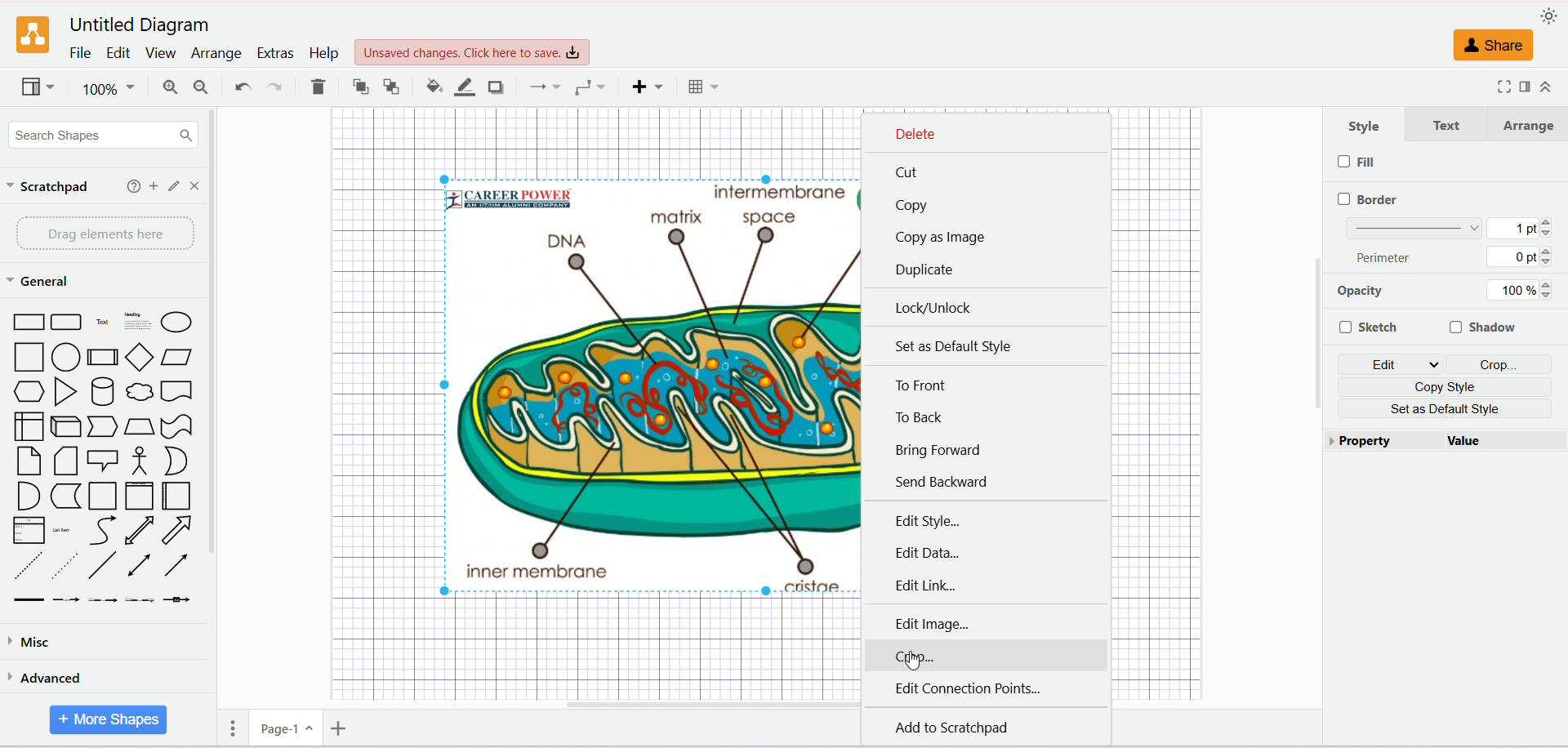  What do you see at coordinates (141, 601) in the screenshot?
I see `Connector with 3 Labels` at bounding box center [141, 601].